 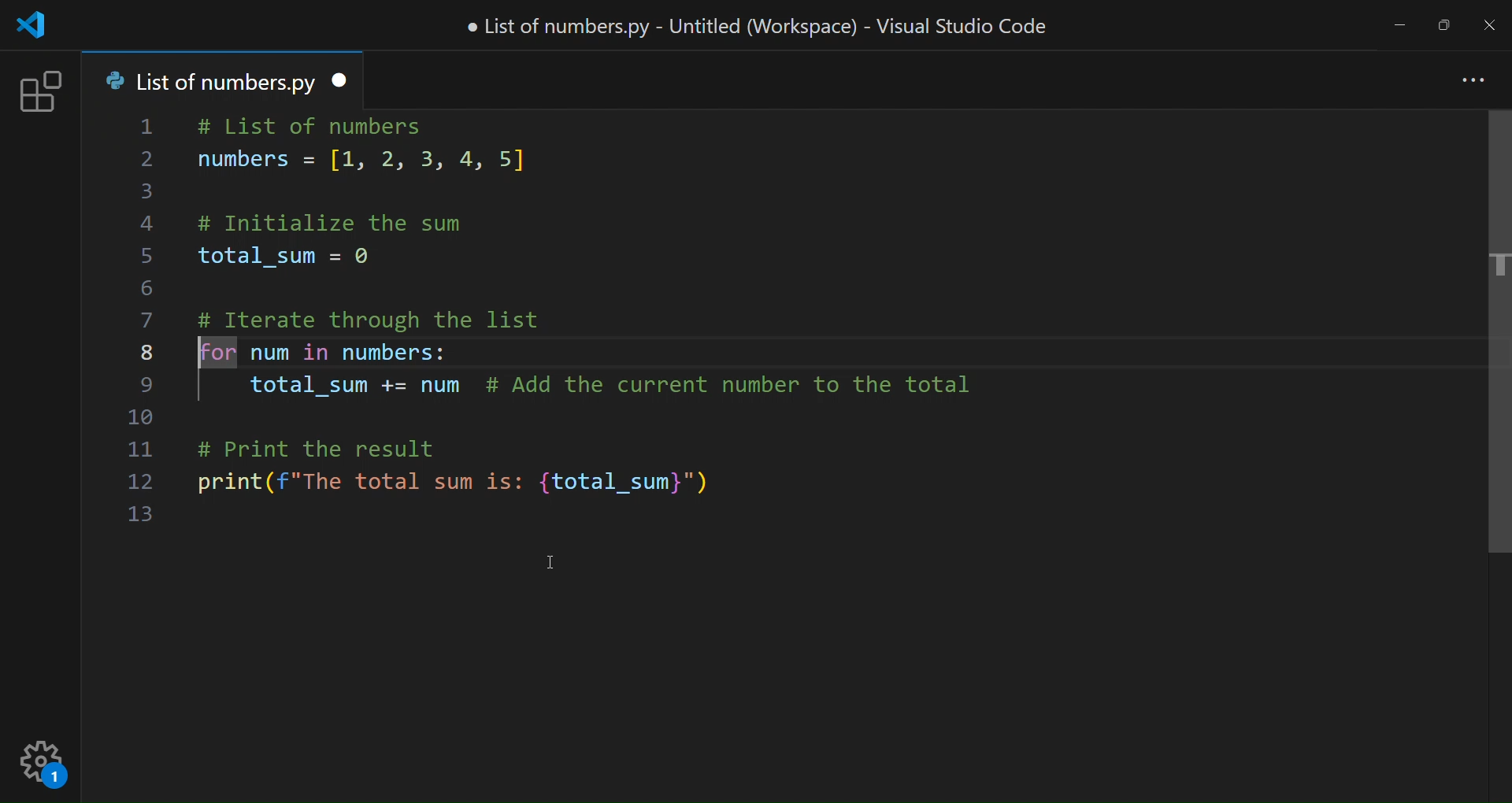 I want to click on maximize, so click(x=1448, y=20).